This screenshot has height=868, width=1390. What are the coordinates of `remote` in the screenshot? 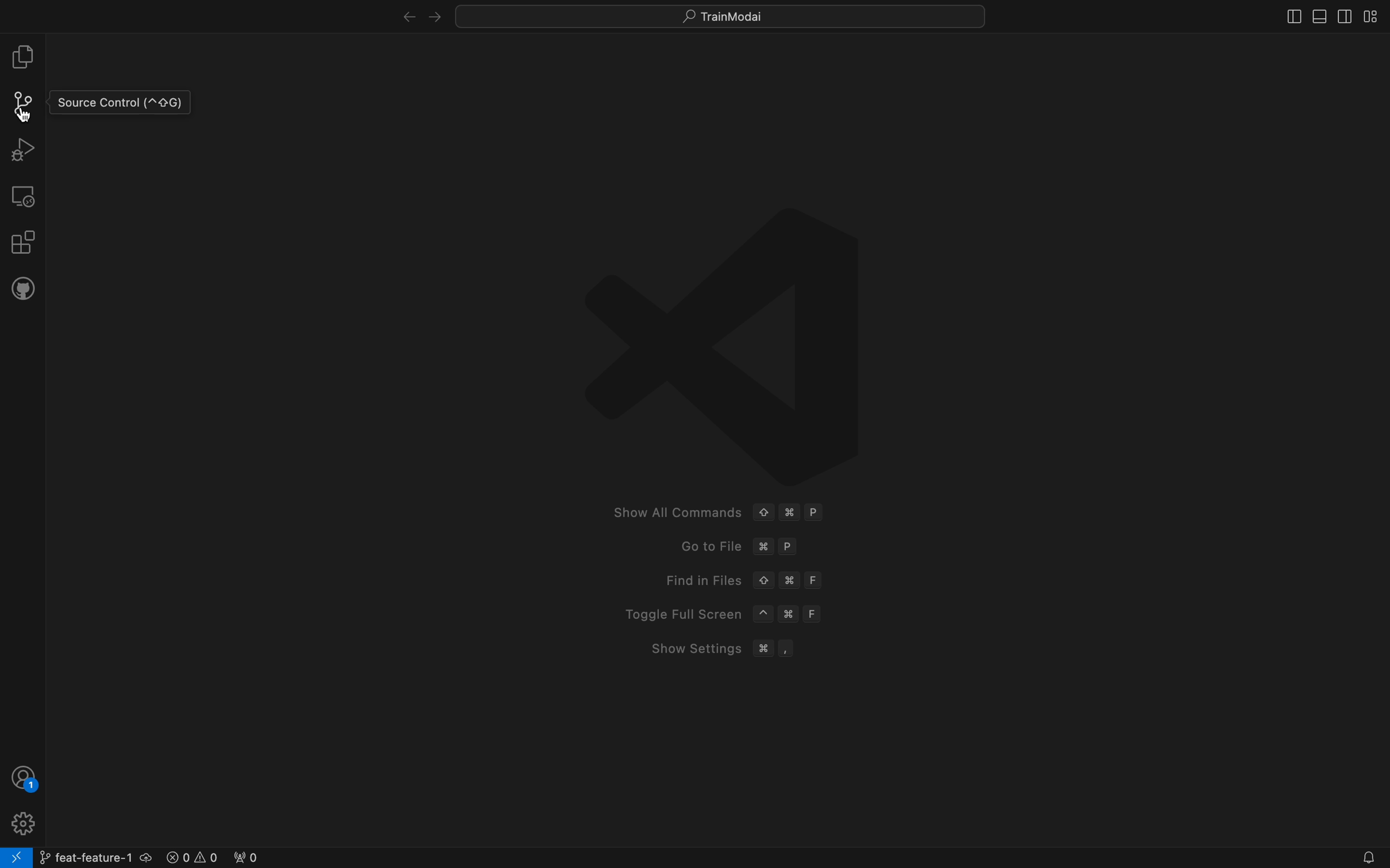 It's located at (24, 195).